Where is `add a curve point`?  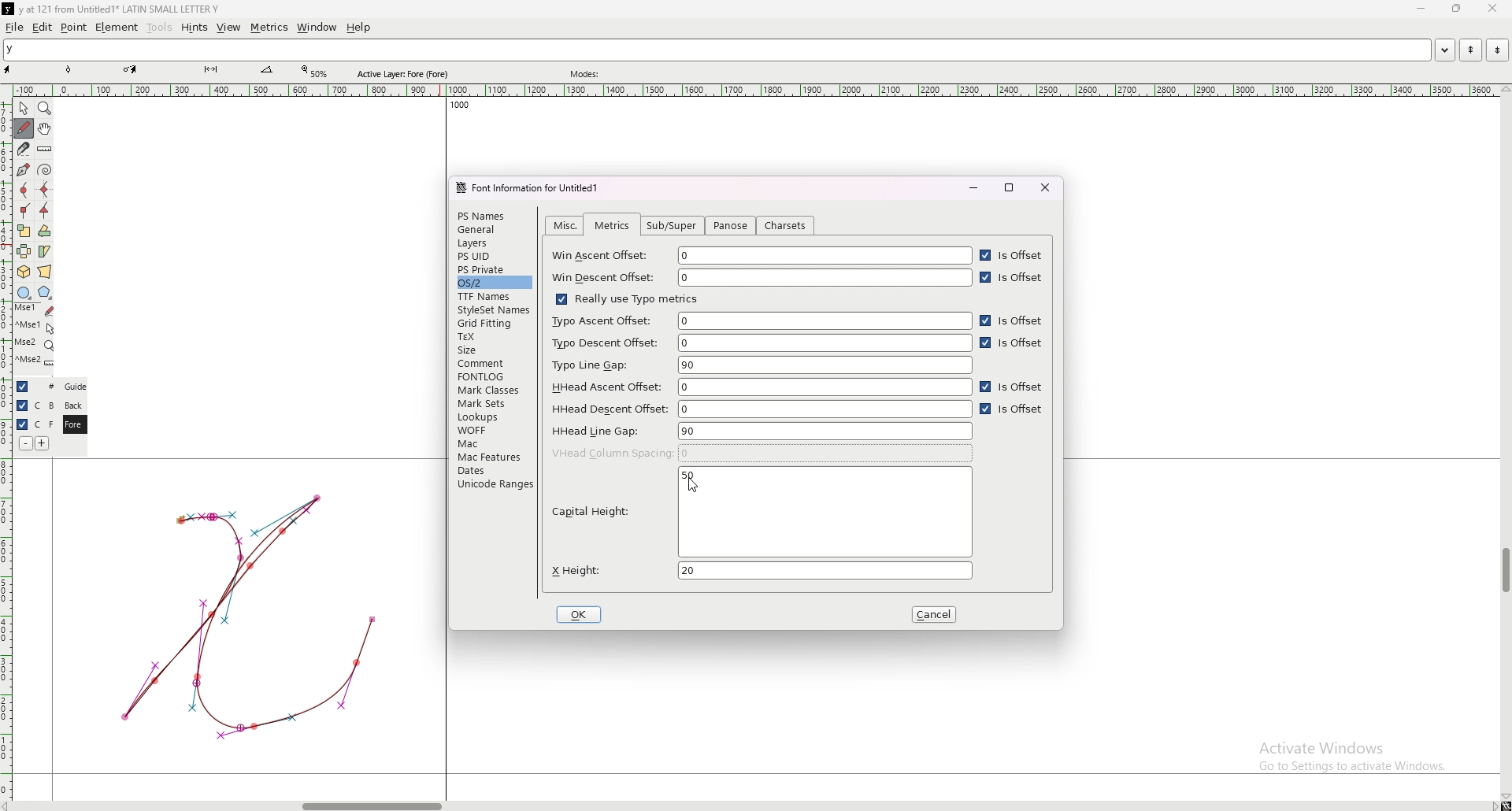 add a curve point is located at coordinates (24, 191).